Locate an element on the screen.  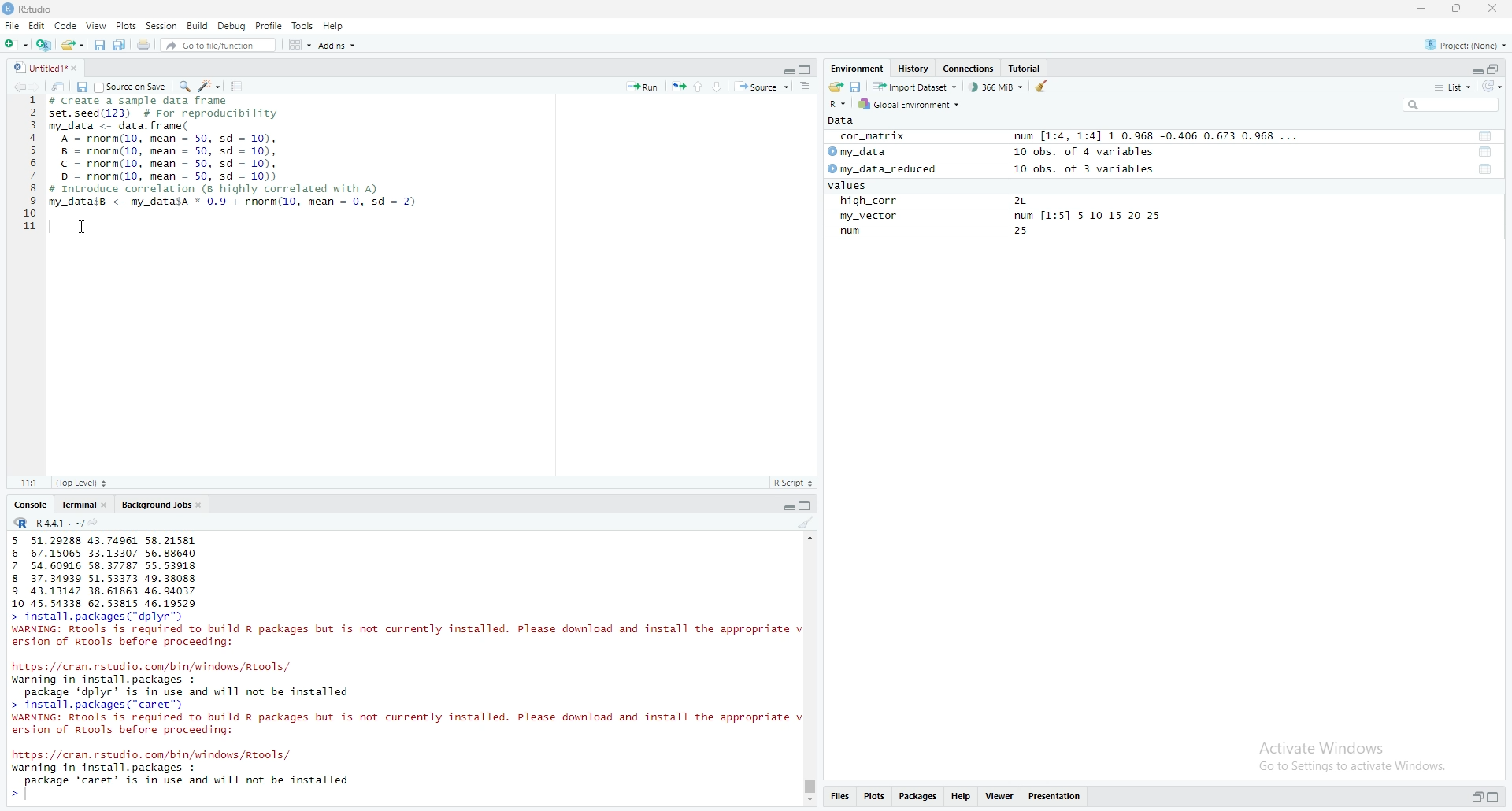
scroll up is located at coordinates (810, 537).